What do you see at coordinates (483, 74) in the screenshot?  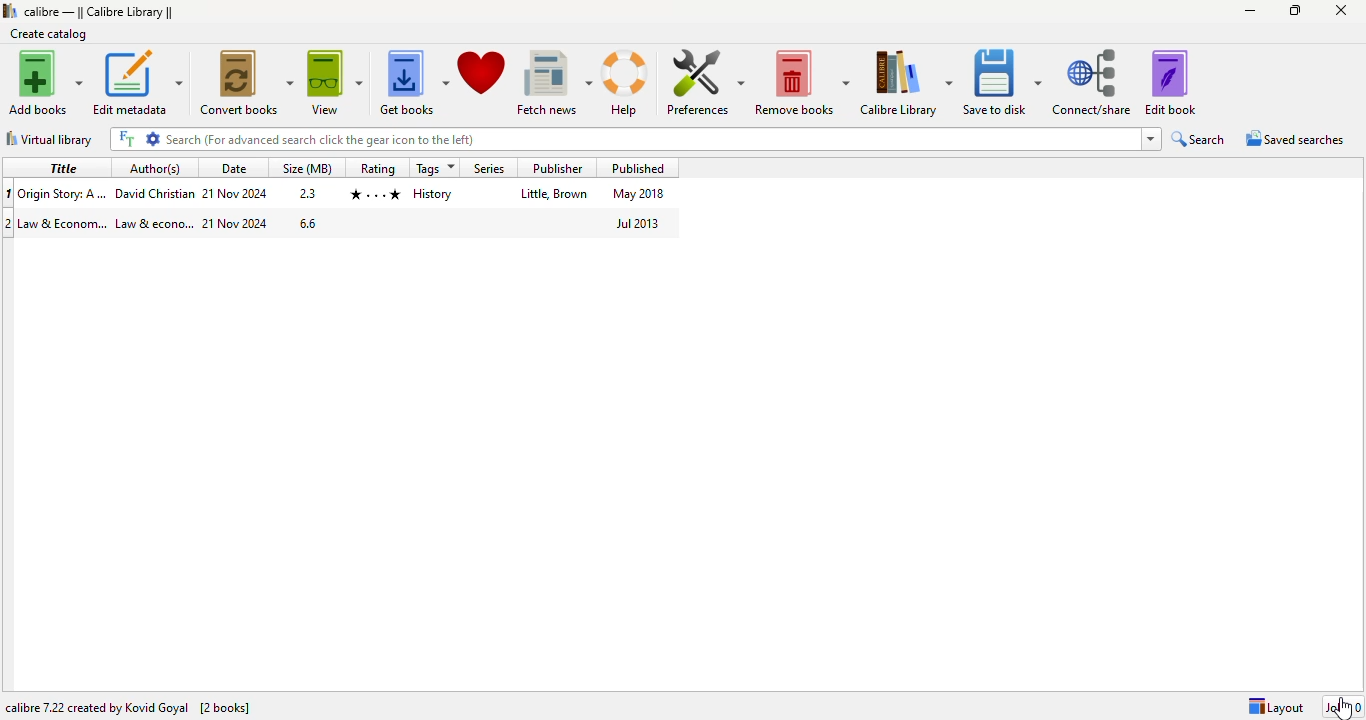 I see `donate to support calibre` at bounding box center [483, 74].